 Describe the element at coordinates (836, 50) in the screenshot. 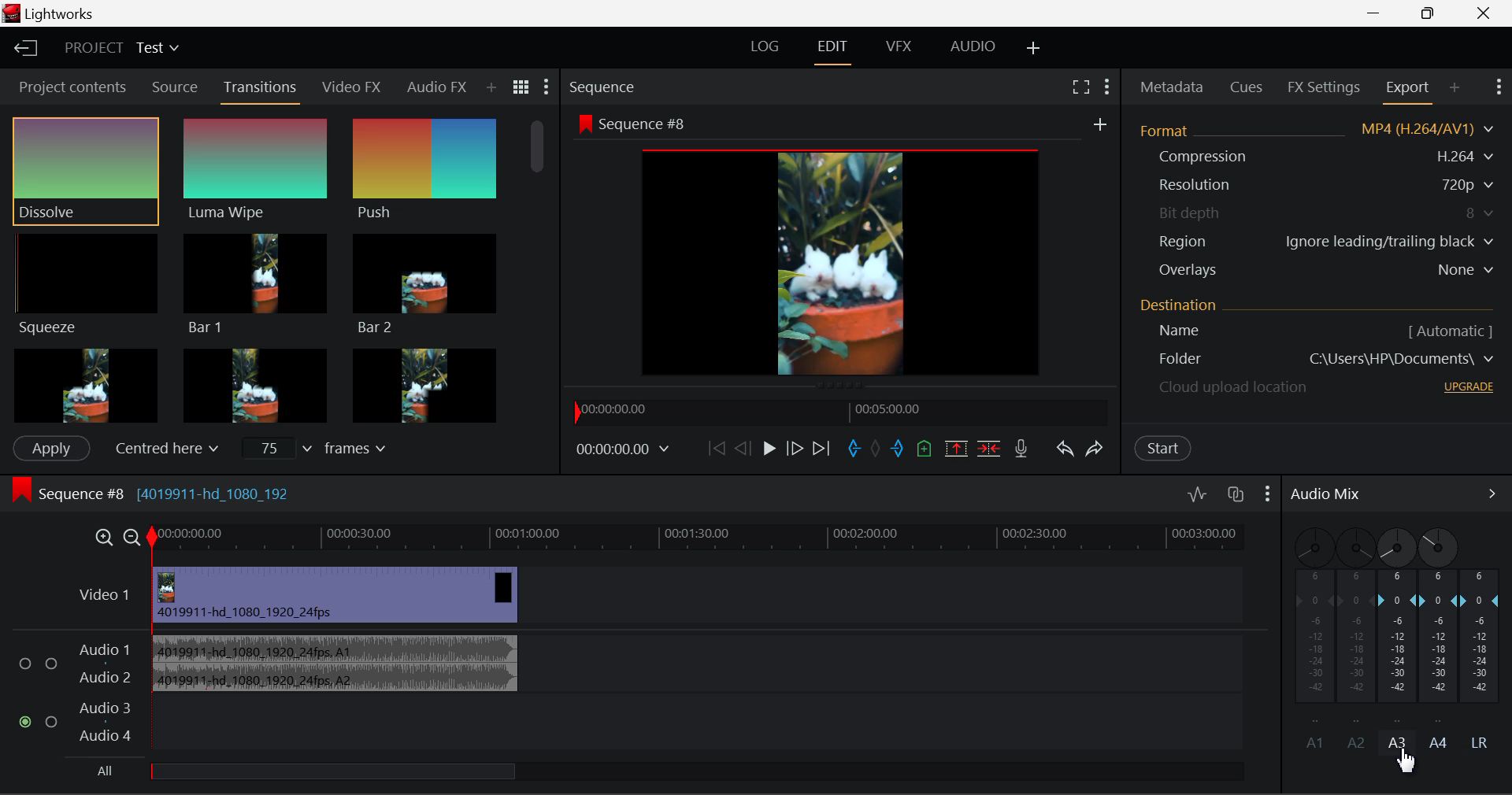

I see `EDIT Layout` at that location.